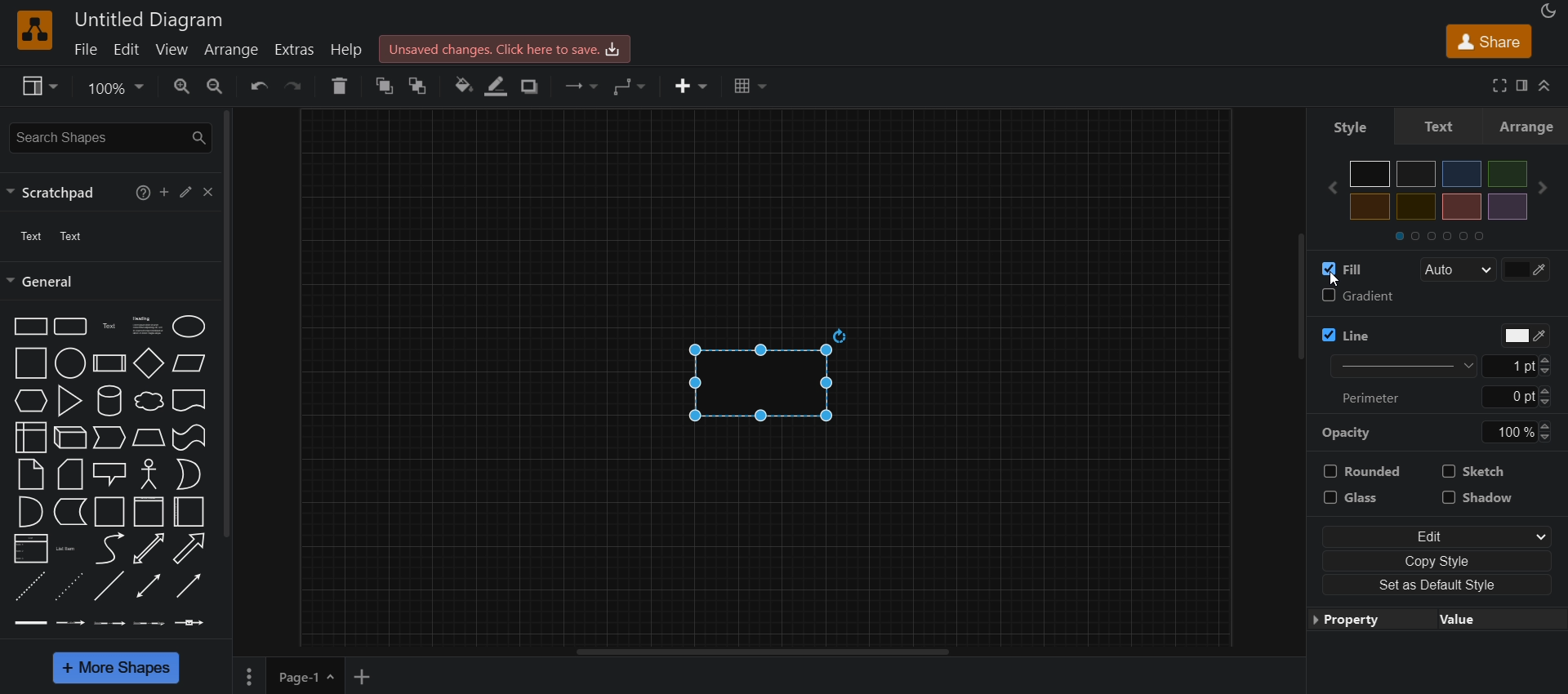  What do you see at coordinates (217, 85) in the screenshot?
I see `zoom out` at bounding box center [217, 85].